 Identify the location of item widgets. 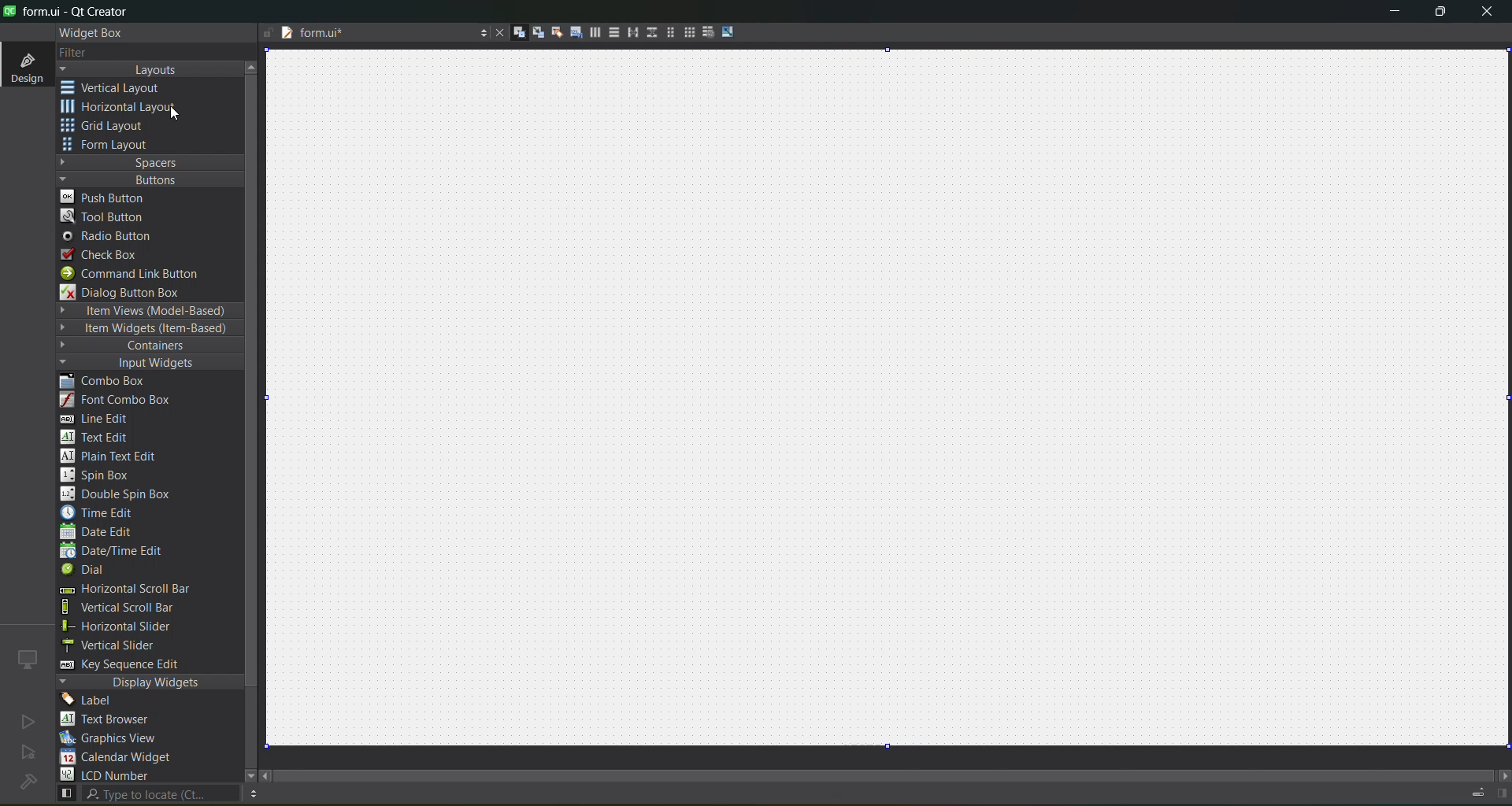
(146, 329).